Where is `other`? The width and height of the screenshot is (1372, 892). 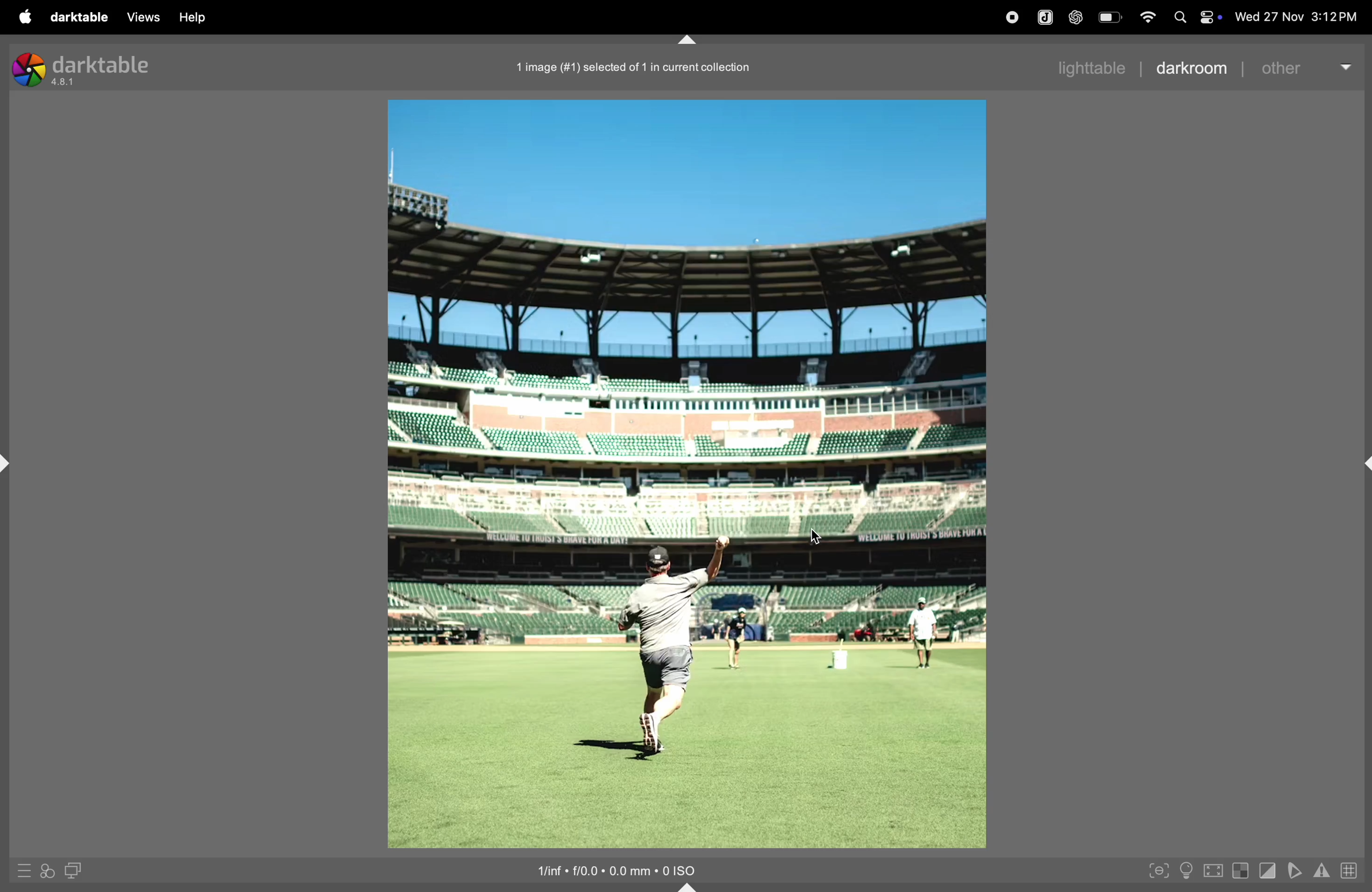 other is located at coordinates (1307, 67).